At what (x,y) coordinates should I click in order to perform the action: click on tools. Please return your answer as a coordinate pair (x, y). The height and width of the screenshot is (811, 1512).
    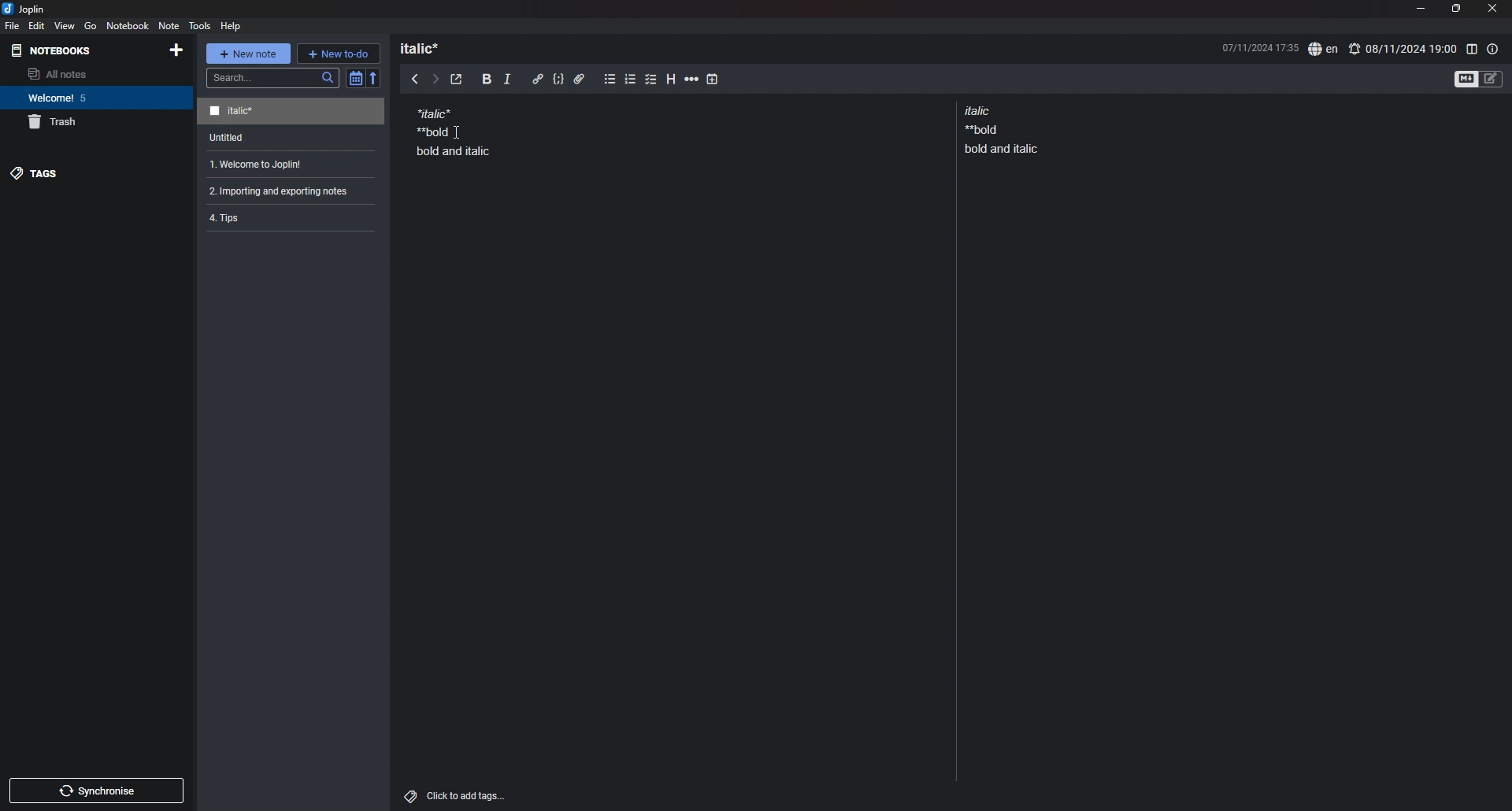
    Looking at the image, I should click on (200, 25).